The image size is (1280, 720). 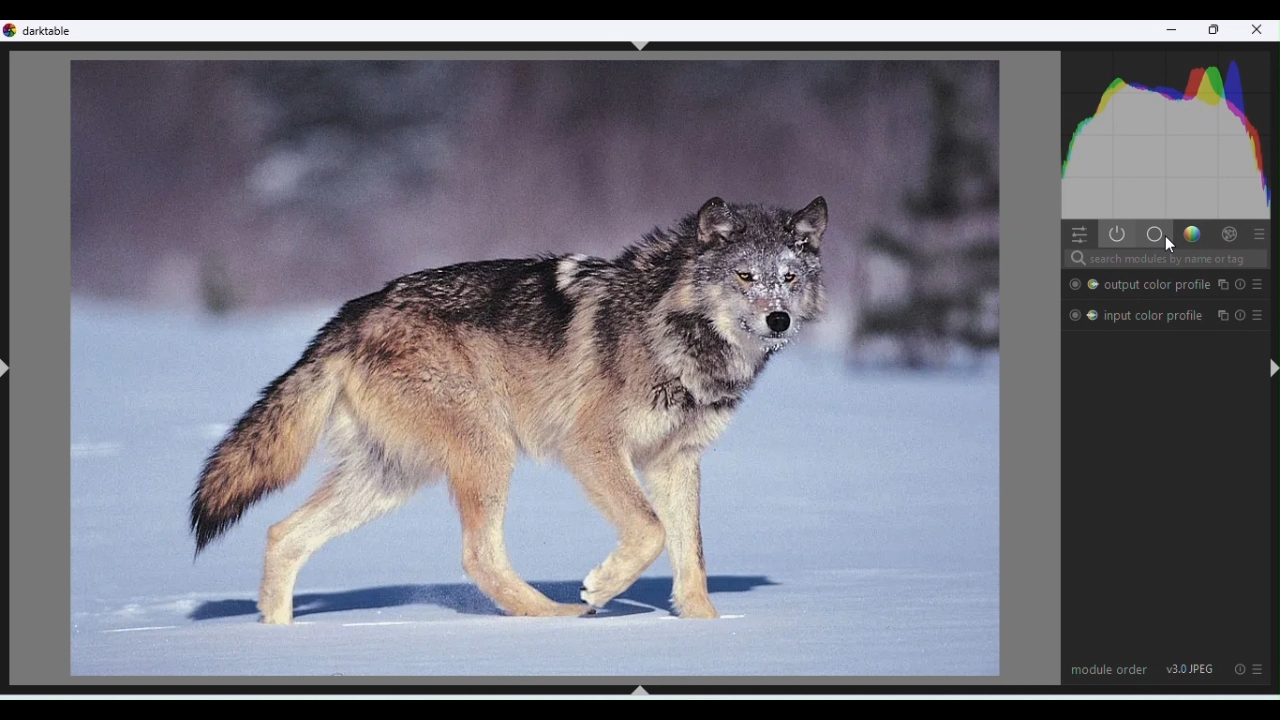 I want to click on ctrl+shift+t, so click(x=641, y=46).